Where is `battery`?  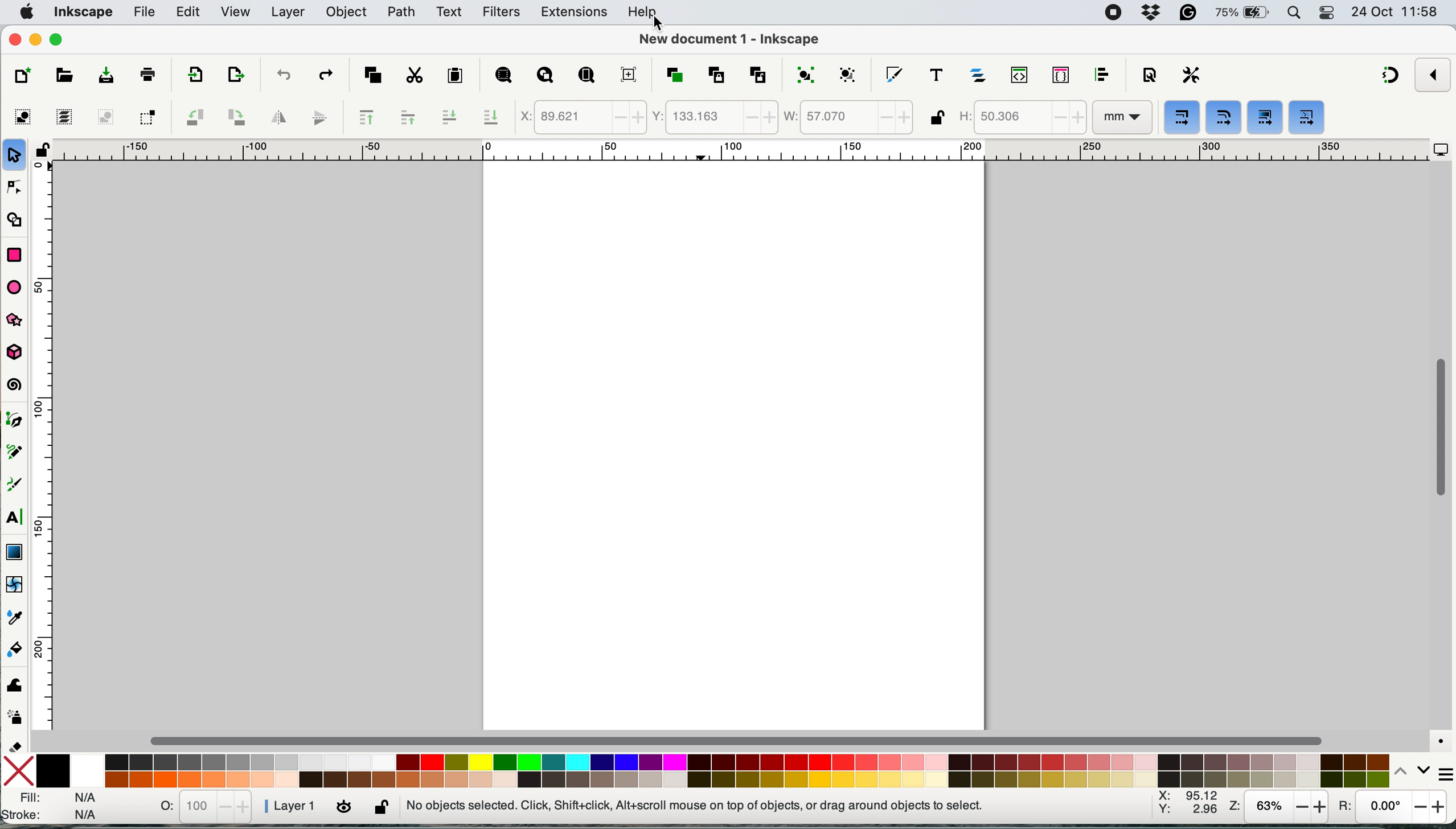
battery is located at coordinates (1241, 11).